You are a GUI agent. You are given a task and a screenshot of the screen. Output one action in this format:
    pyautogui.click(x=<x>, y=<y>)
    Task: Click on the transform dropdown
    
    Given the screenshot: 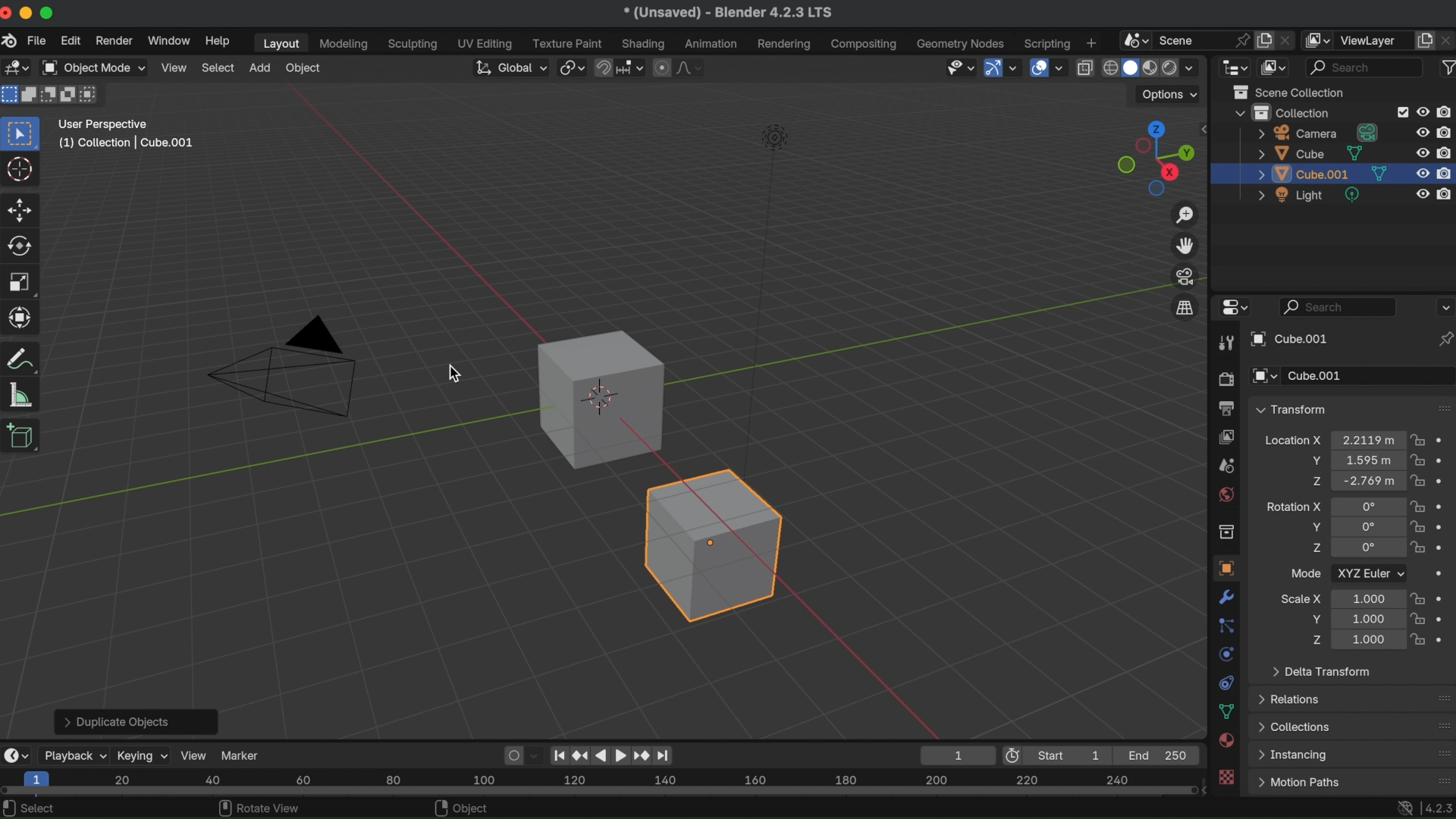 What is the action you would take?
    pyautogui.click(x=1291, y=409)
    